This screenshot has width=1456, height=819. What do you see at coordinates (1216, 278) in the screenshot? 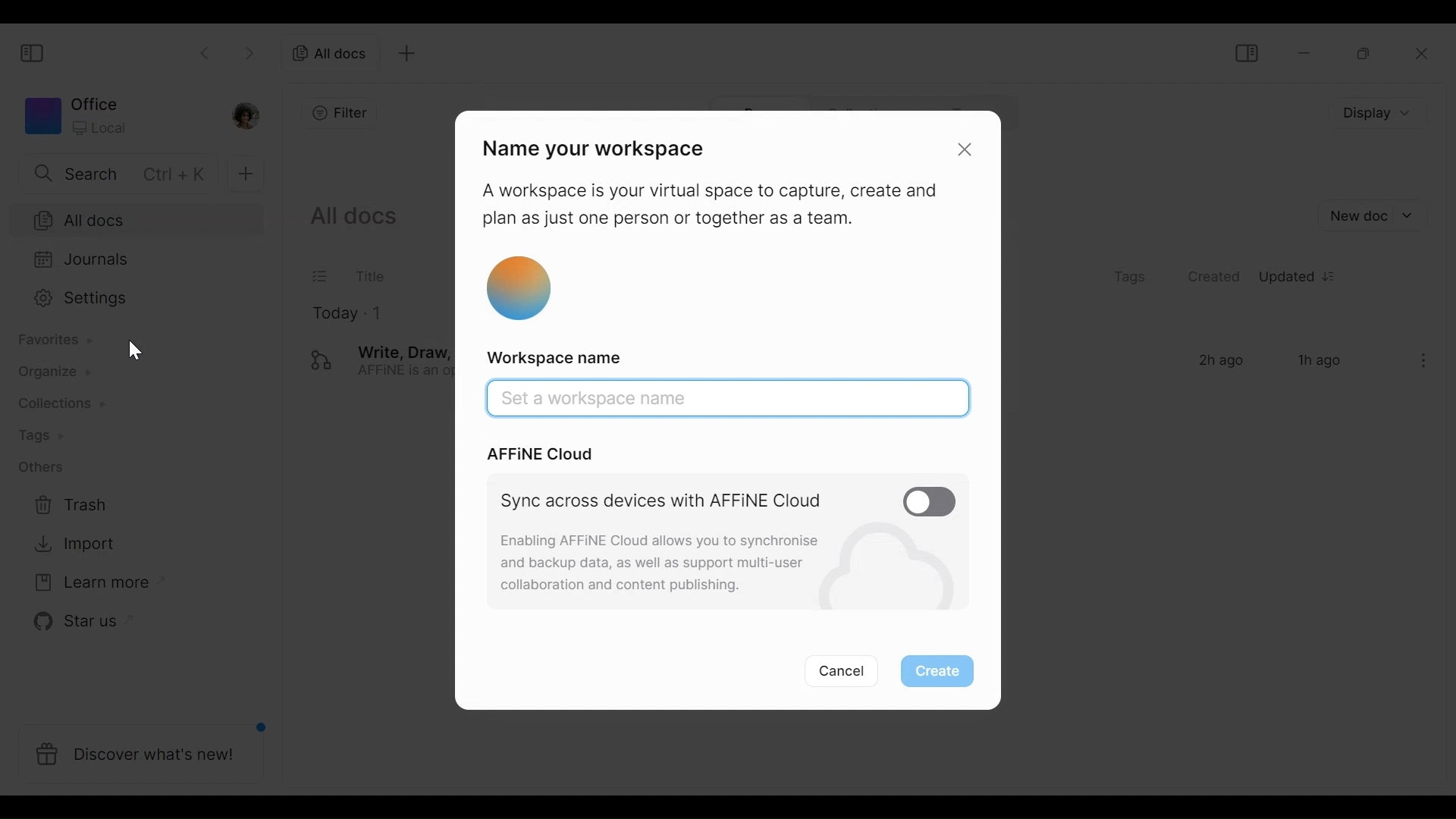
I see `Created` at bounding box center [1216, 278].